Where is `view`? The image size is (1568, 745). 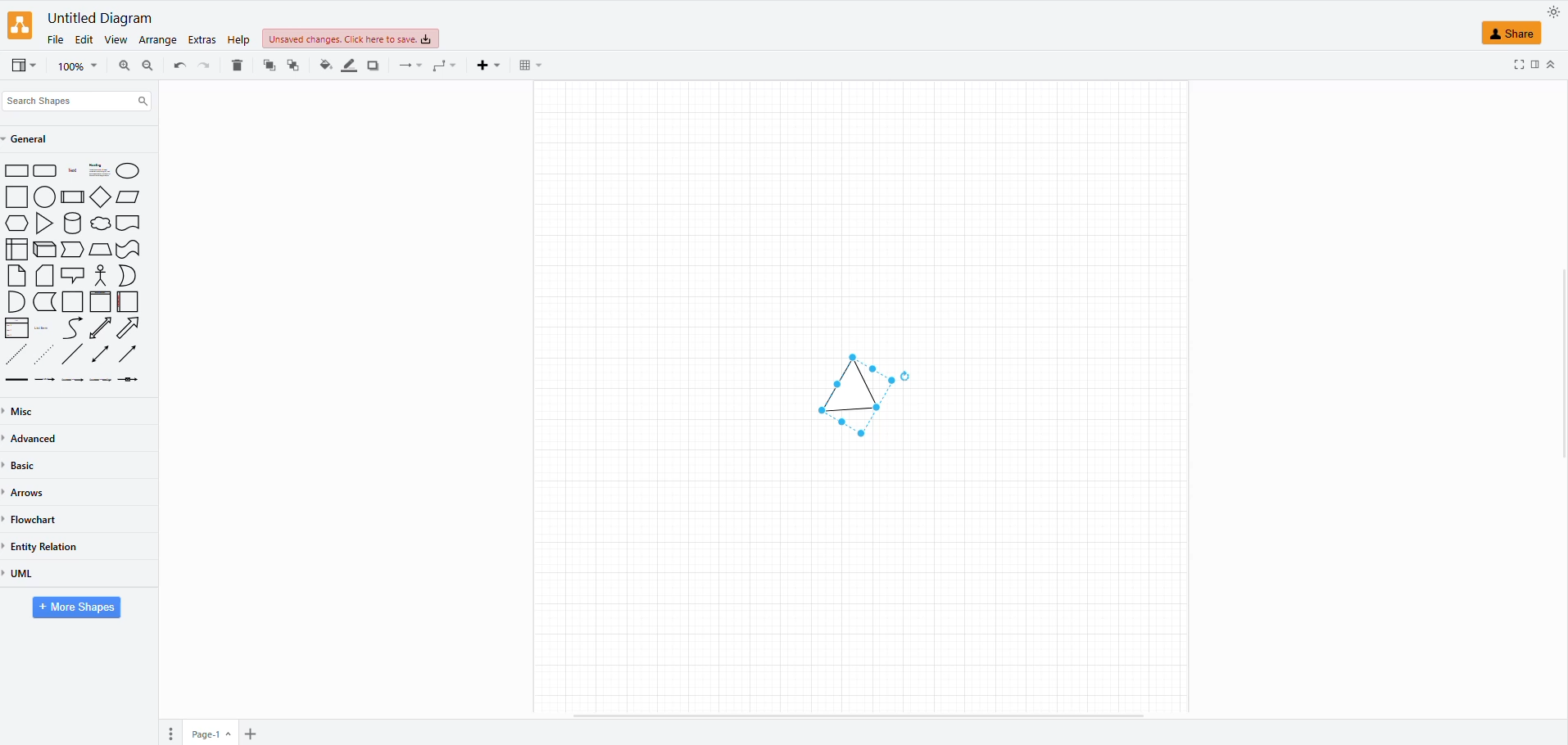
view is located at coordinates (115, 38).